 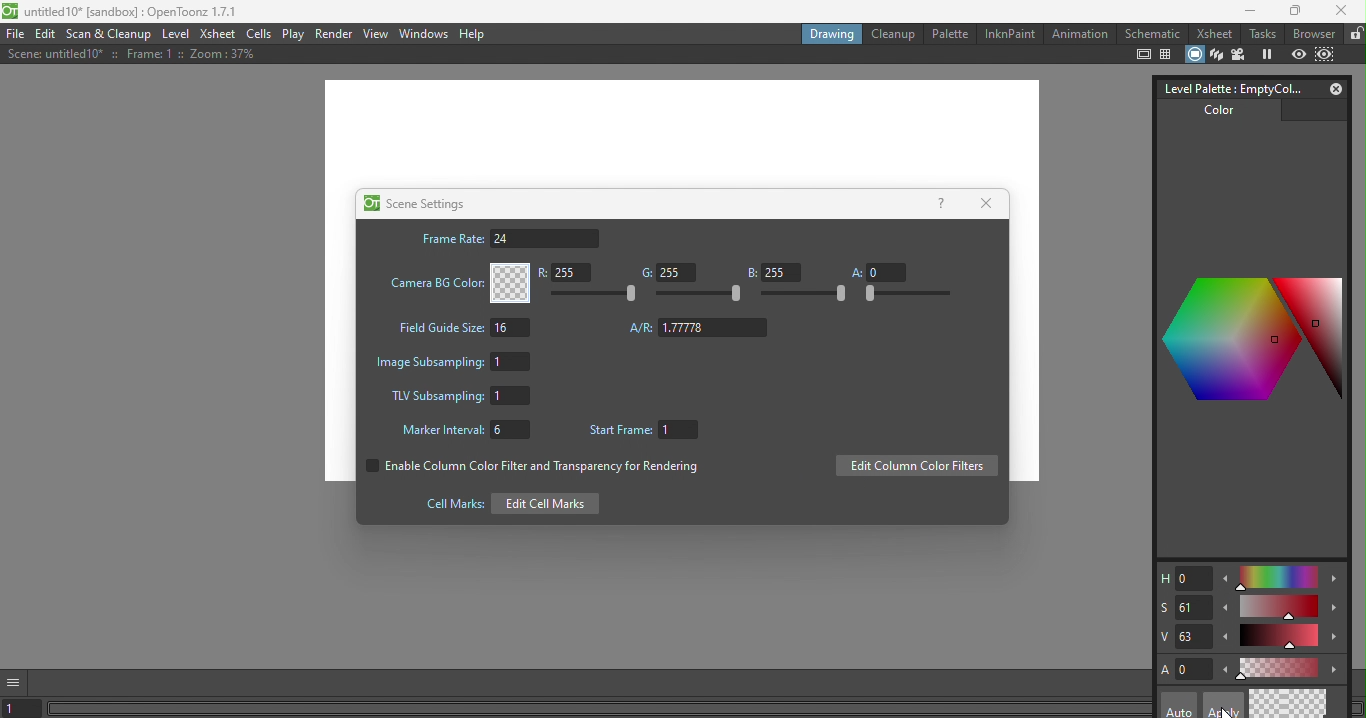 What do you see at coordinates (1185, 637) in the screenshot?
I see `V` at bounding box center [1185, 637].